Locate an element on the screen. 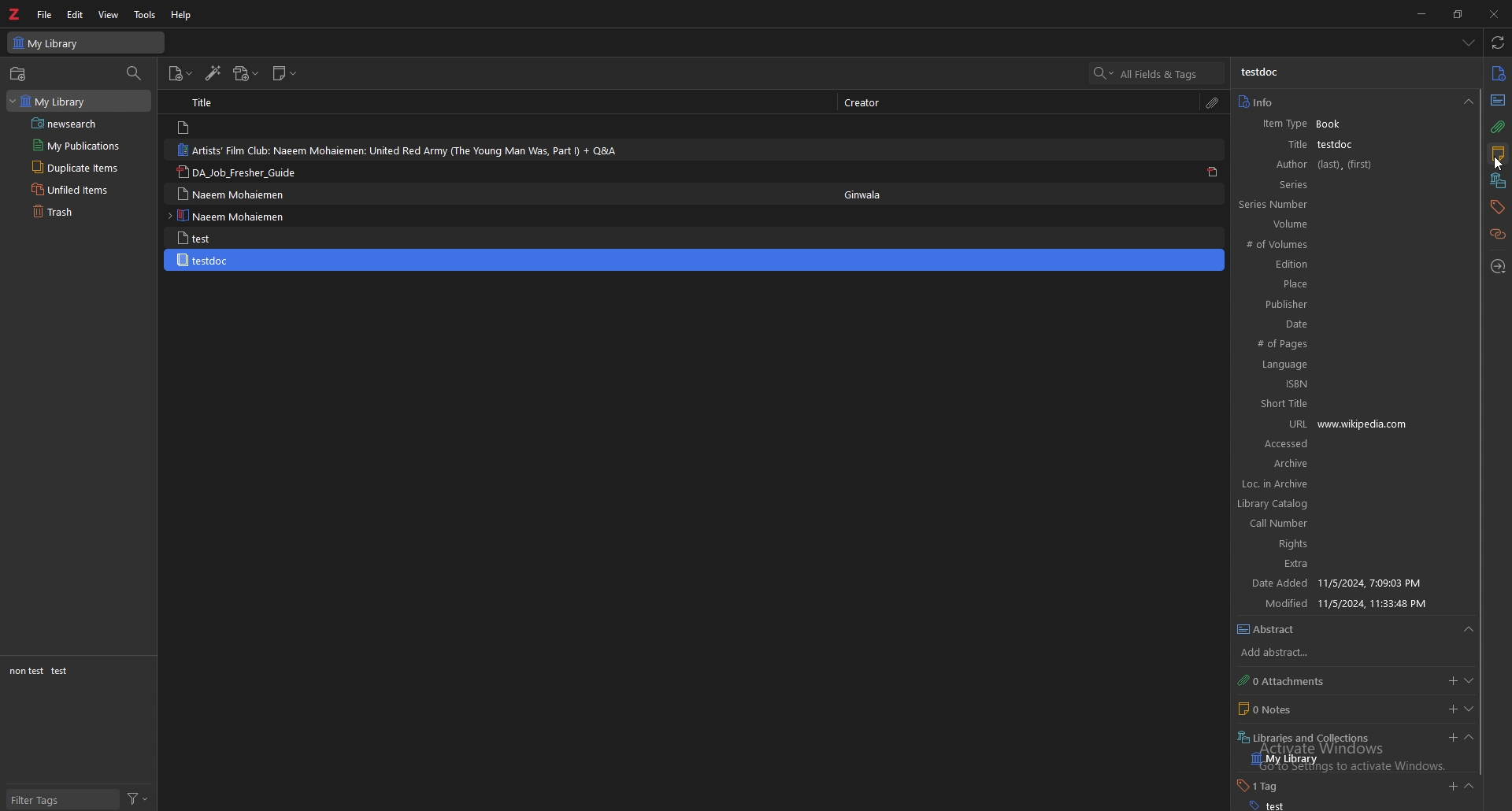 The width and height of the screenshot is (1512, 811). testdoc is located at coordinates (1265, 73).